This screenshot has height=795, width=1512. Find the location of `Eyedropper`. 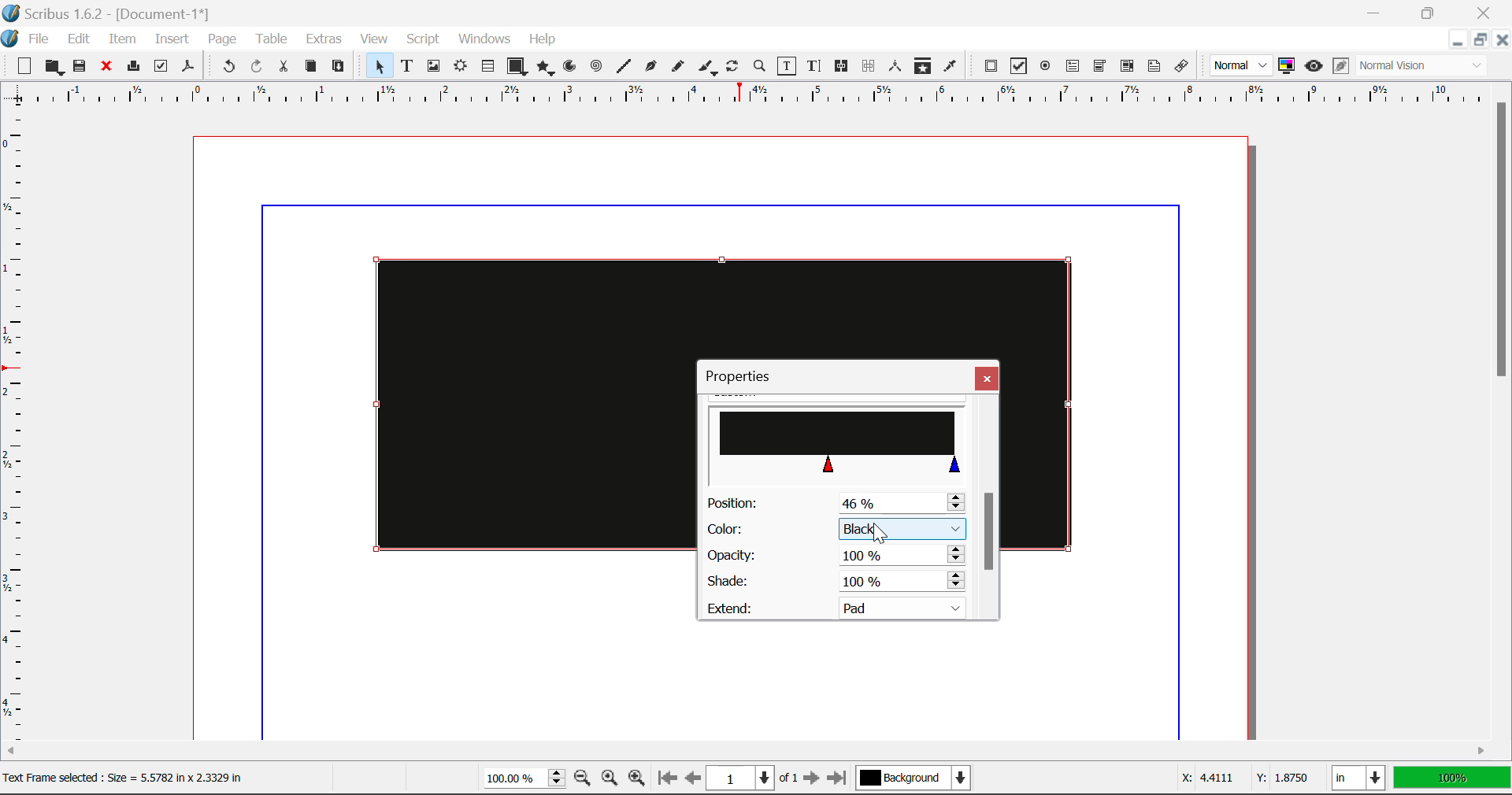

Eyedropper is located at coordinates (950, 68).